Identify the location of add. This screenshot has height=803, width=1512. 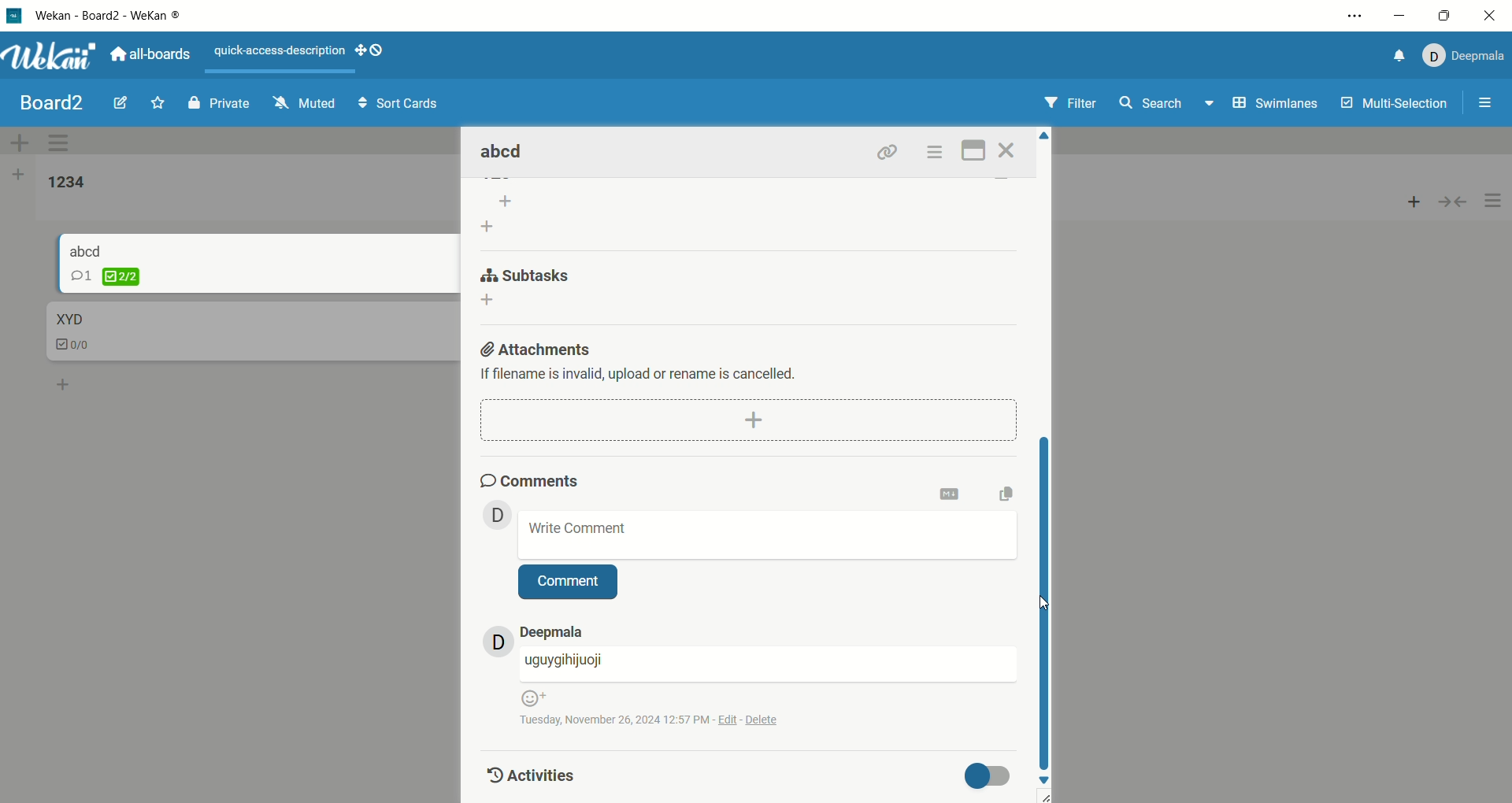
(748, 419).